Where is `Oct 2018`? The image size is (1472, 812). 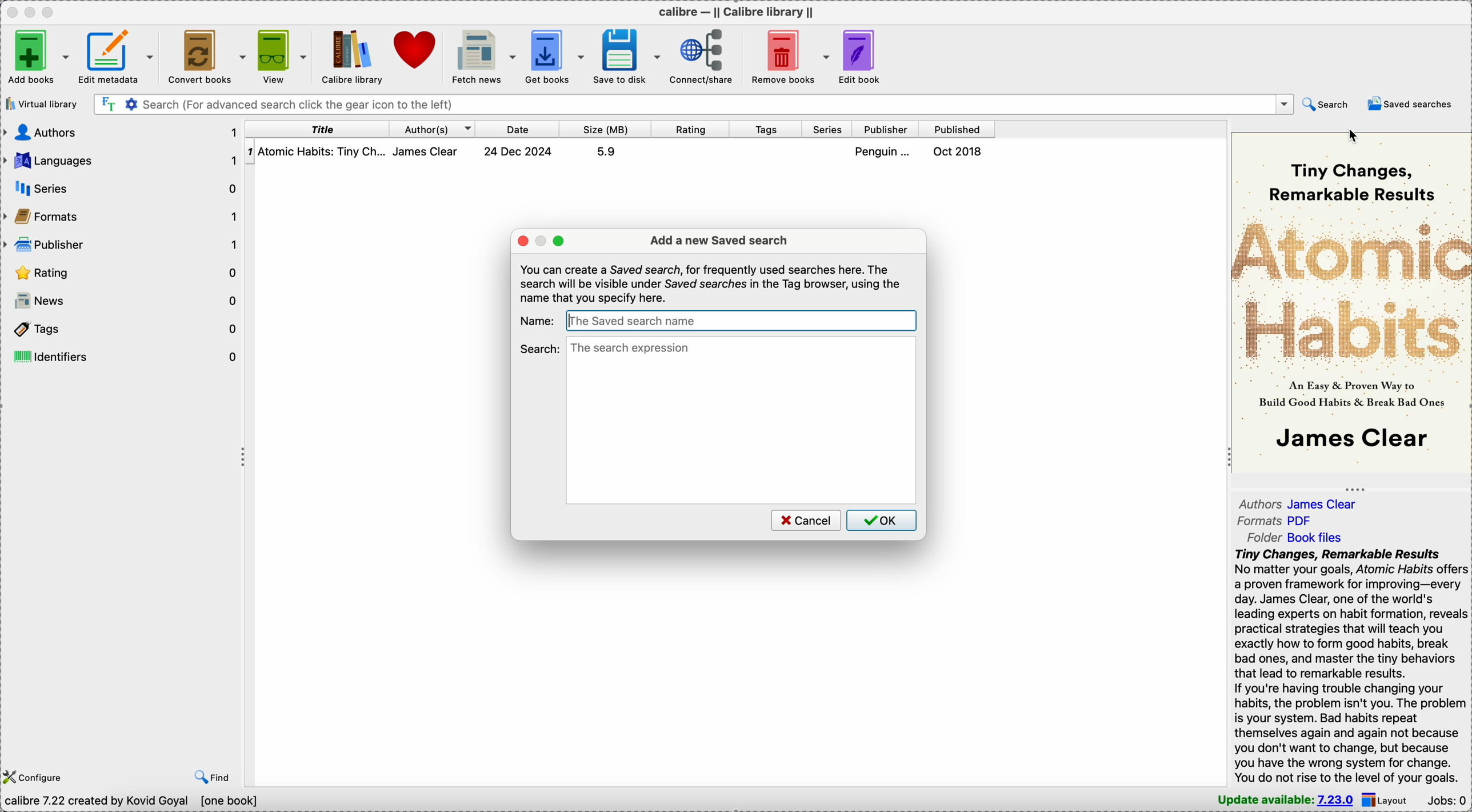 Oct 2018 is located at coordinates (959, 151).